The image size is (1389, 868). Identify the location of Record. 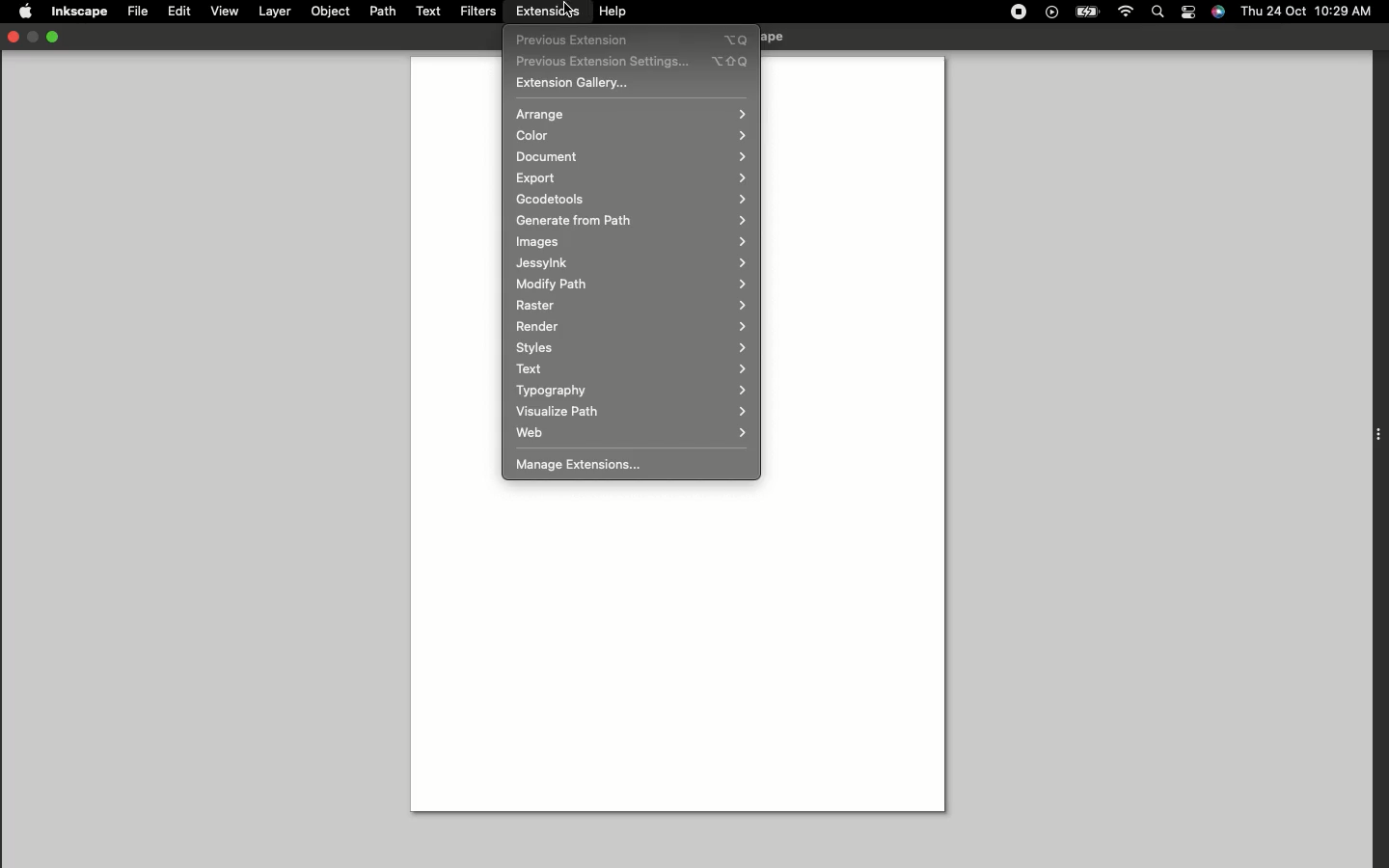
(1018, 12).